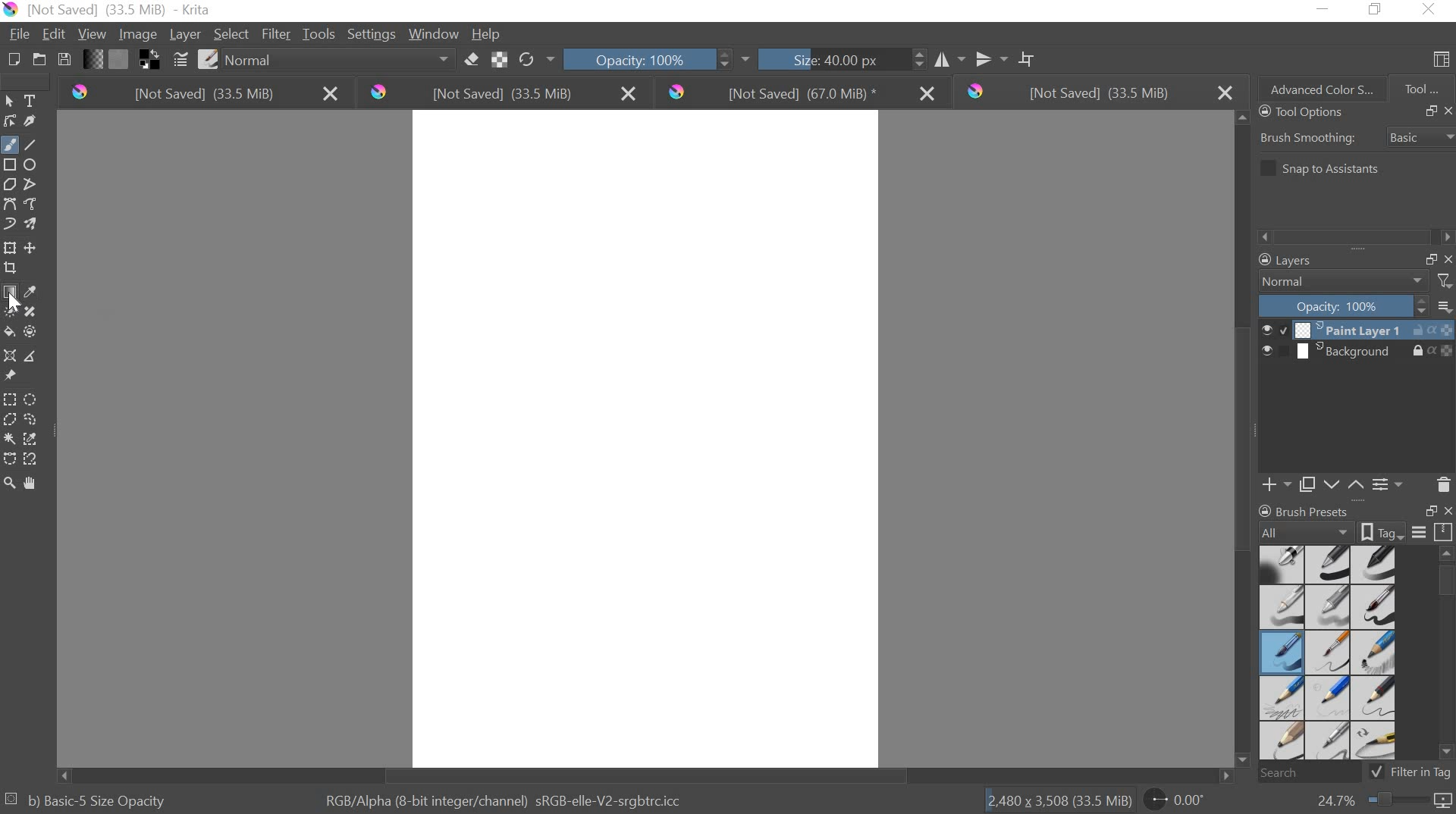 This screenshot has height=814, width=1456. What do you see at coordinates (1332, 653) in the screenshot?
I see `BRUSH PRESET TYPES` at bounding box center [1332, 653].